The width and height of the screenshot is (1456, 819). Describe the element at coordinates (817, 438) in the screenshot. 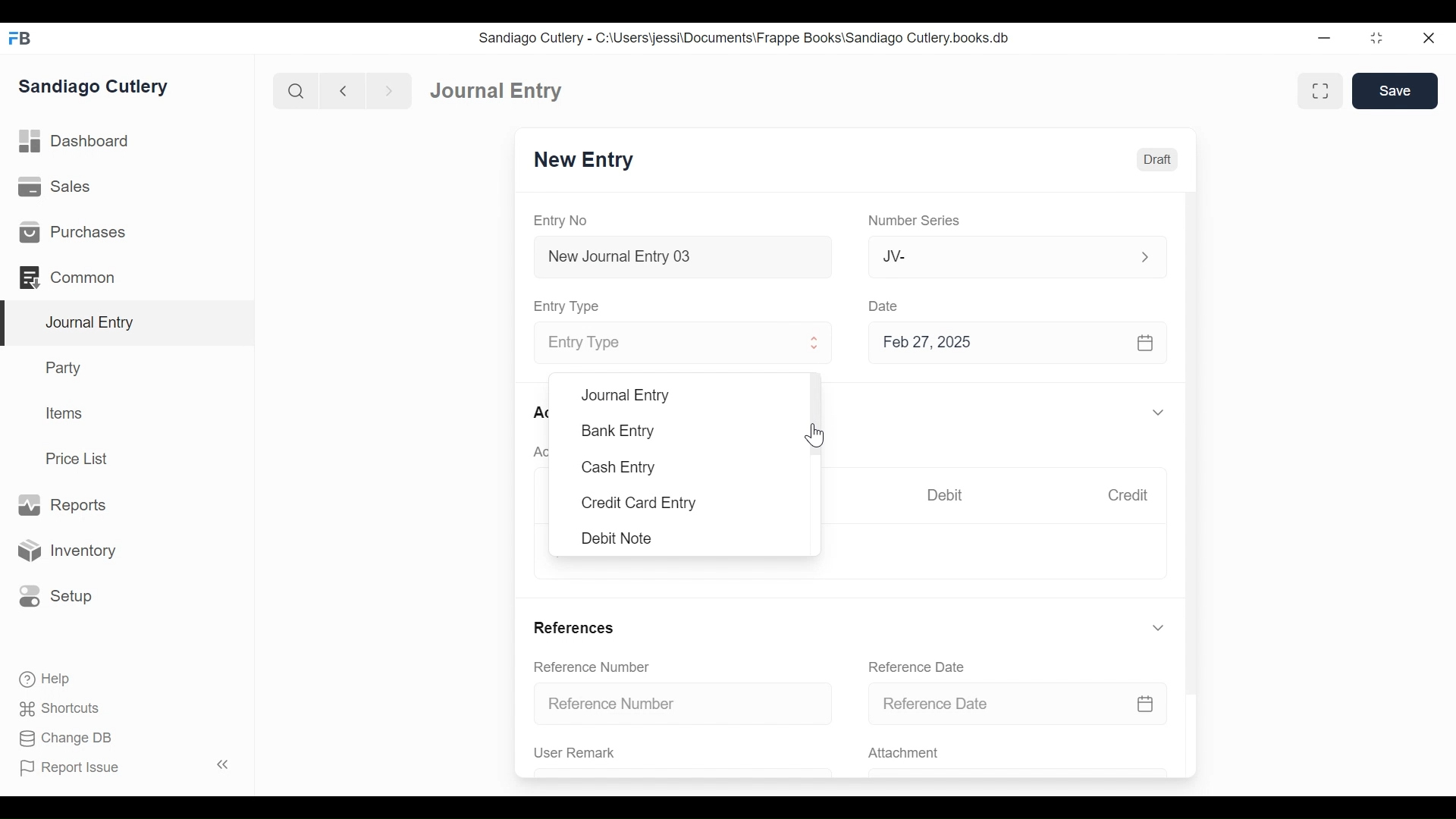

I see `Cursor` at that location.